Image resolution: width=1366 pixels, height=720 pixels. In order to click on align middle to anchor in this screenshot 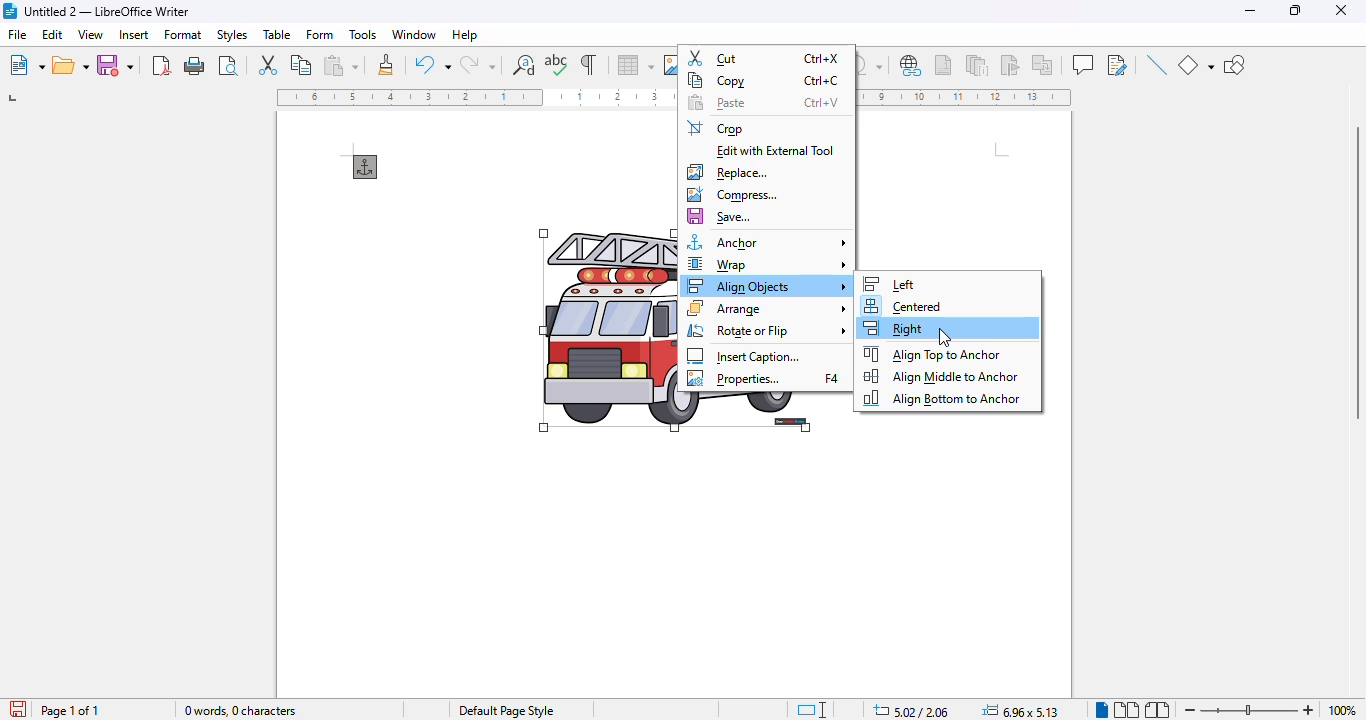, I will do `click(942, 376)`.